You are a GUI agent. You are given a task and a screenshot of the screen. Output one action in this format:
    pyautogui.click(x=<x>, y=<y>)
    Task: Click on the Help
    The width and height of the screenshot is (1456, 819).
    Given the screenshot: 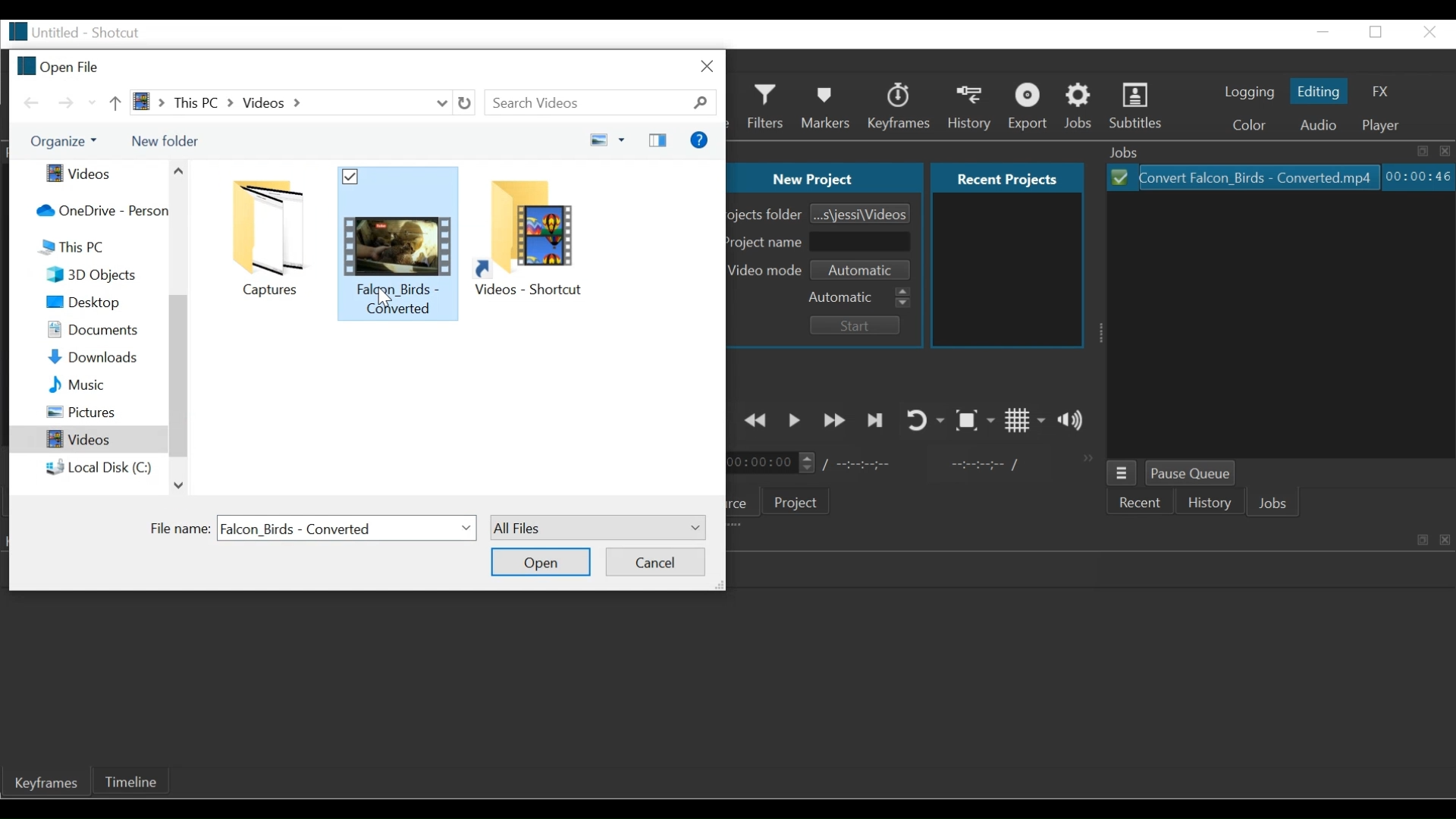 What is the action you would take?
    pyautogui.click(x=699, y=140)
    